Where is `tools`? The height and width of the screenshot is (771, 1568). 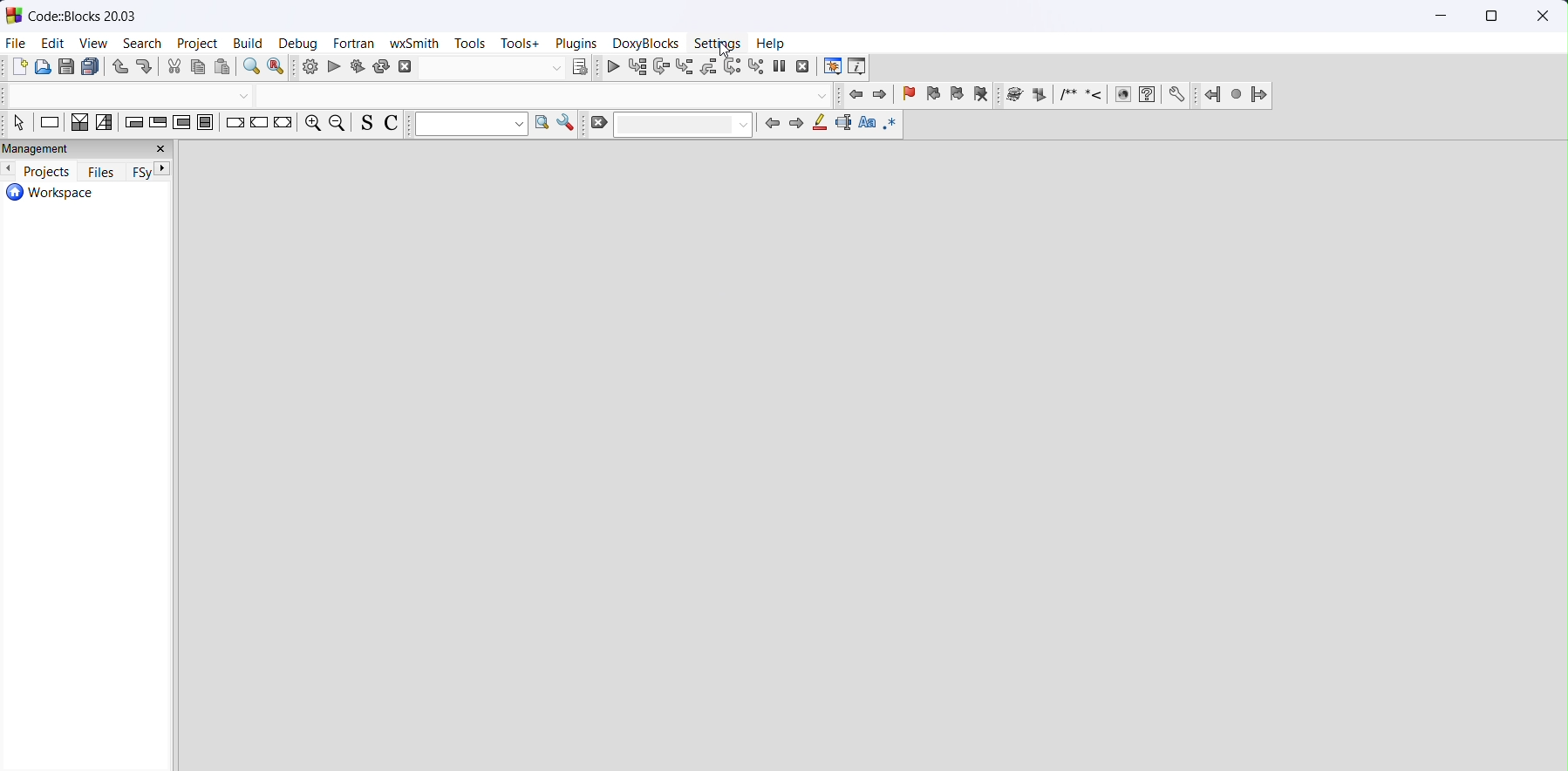
tools is located at coordinates (467, 44).